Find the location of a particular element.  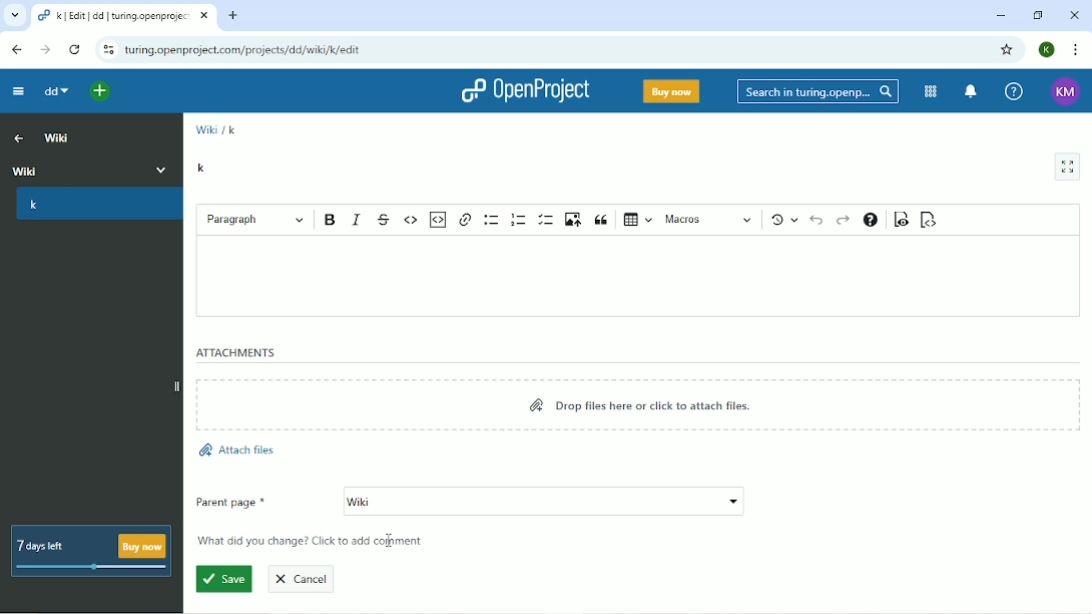

Bookmark this tab is located at coordinates (1009, 50).